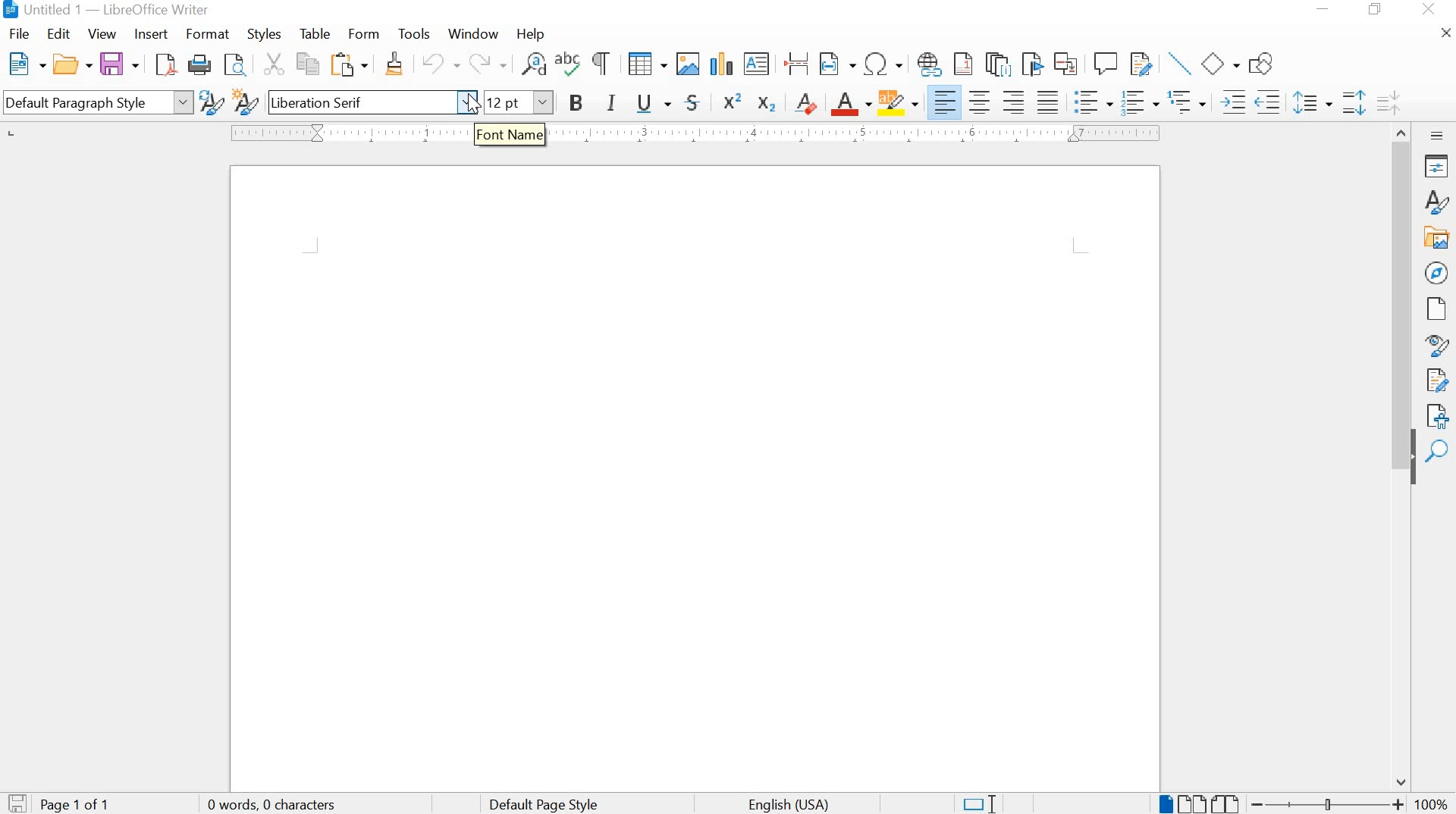 Image resolution: width=1456 pixels, height=814 pixels. Describe the element at coordinates (654, 104) in the screenshot. I see `UNDERLINE` at that location.